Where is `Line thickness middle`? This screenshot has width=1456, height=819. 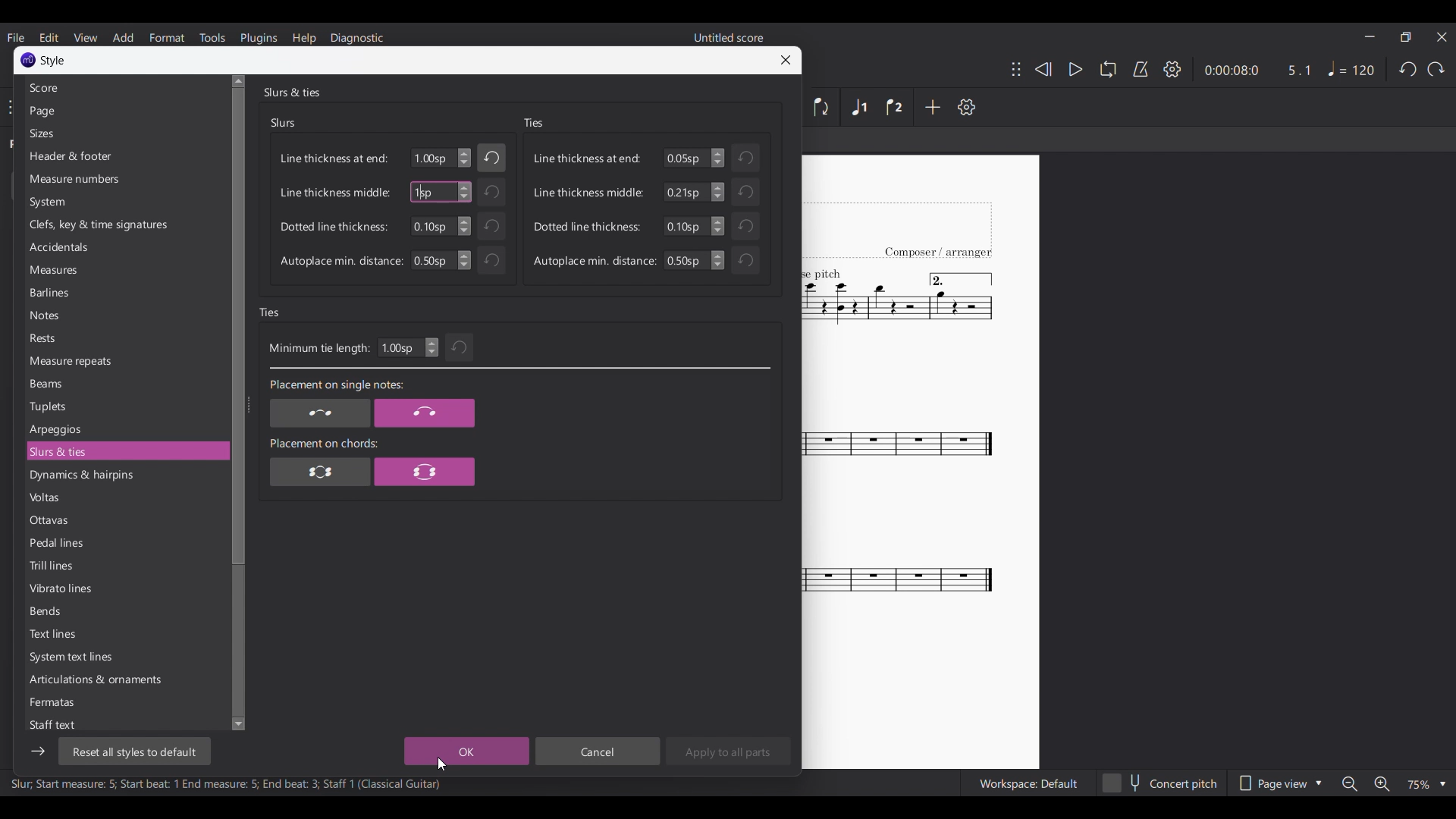
Line thickness middle is located at coordinates (588, 193).